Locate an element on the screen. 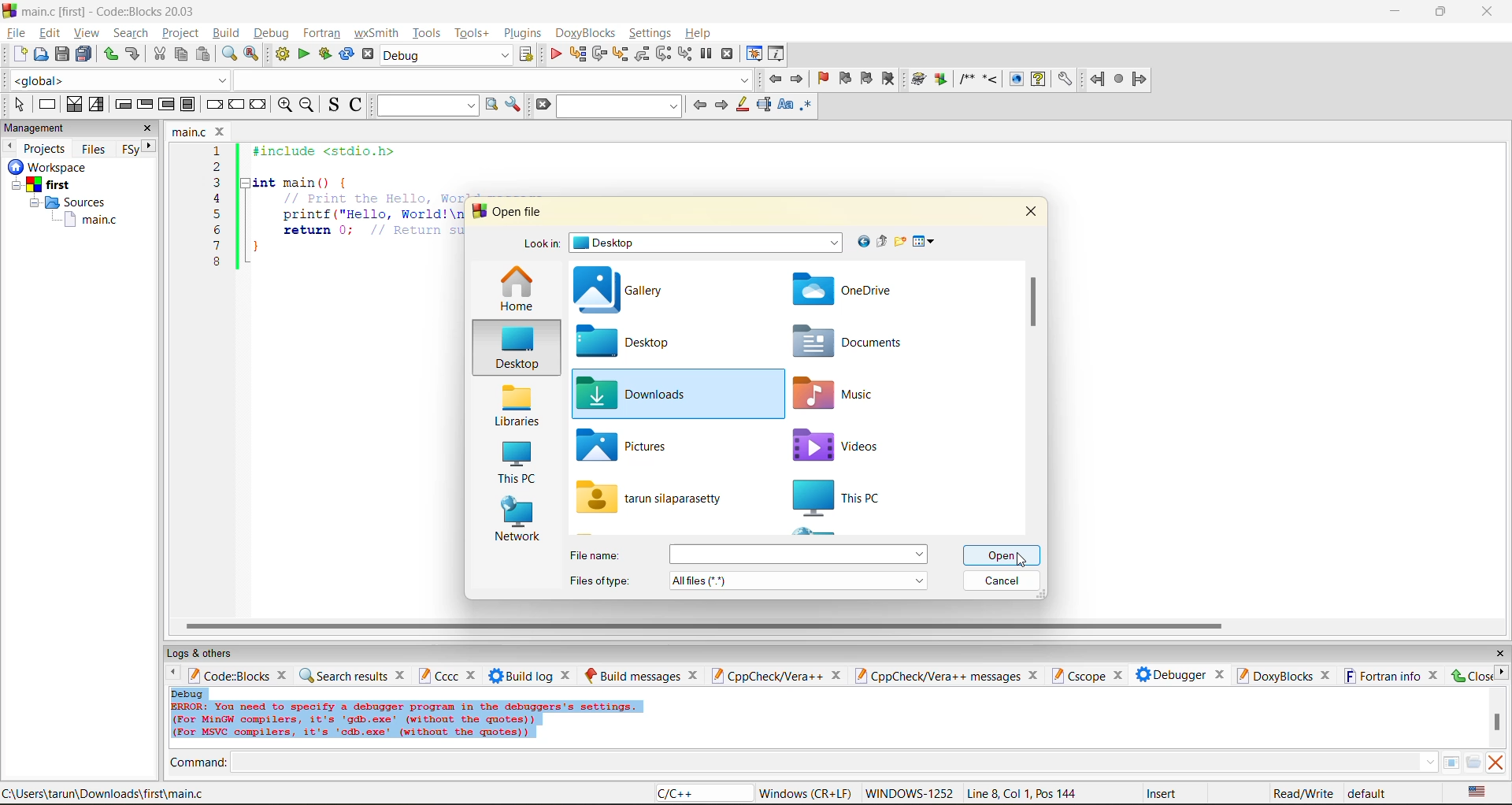 The width and height of the screenshot is (1512, 805). horizontal scroll bar is located at coordinates (703, 626).